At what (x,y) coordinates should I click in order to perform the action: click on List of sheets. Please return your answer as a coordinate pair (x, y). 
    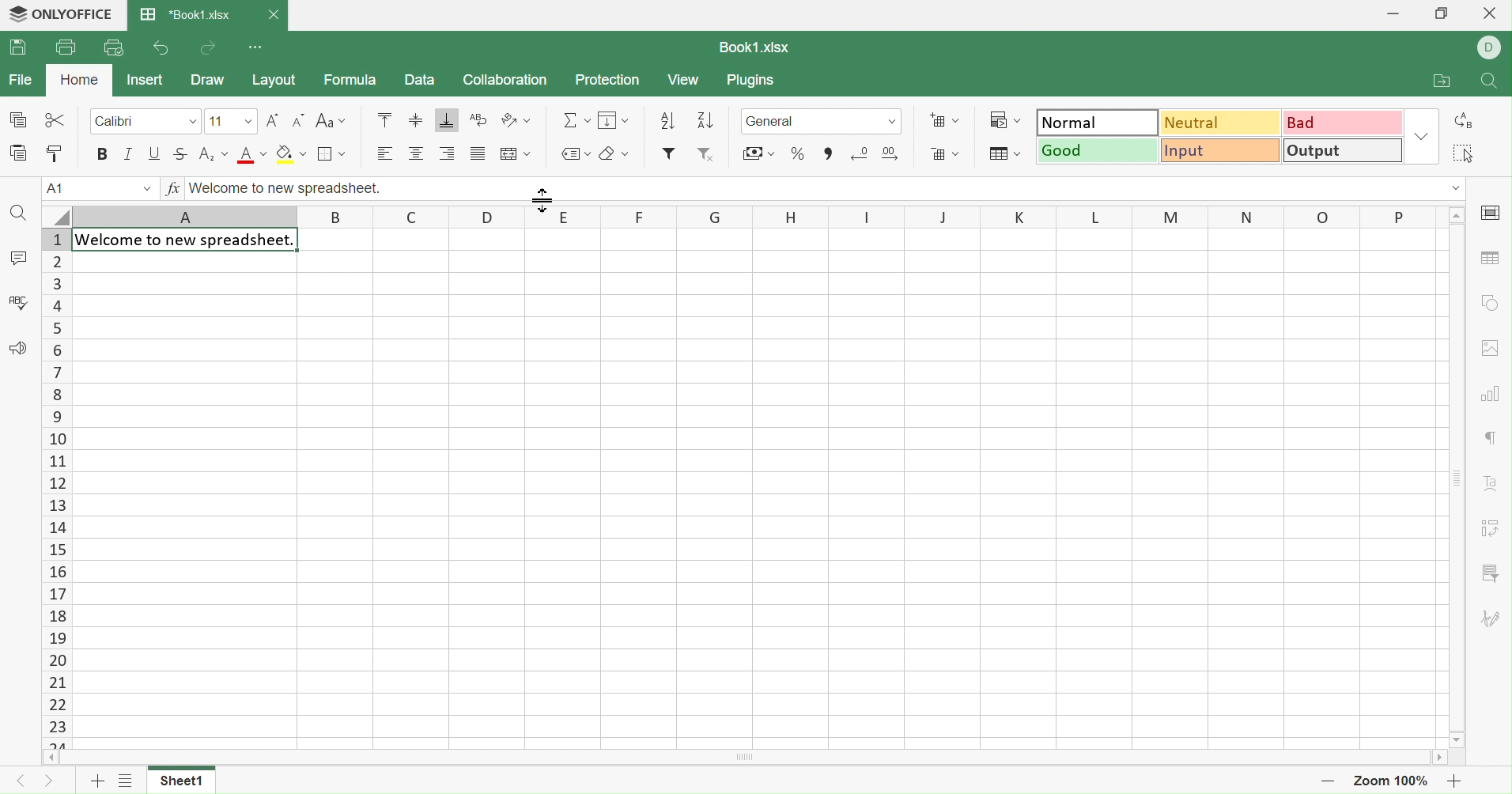
    Looking at the image, I should click on (125, 783).